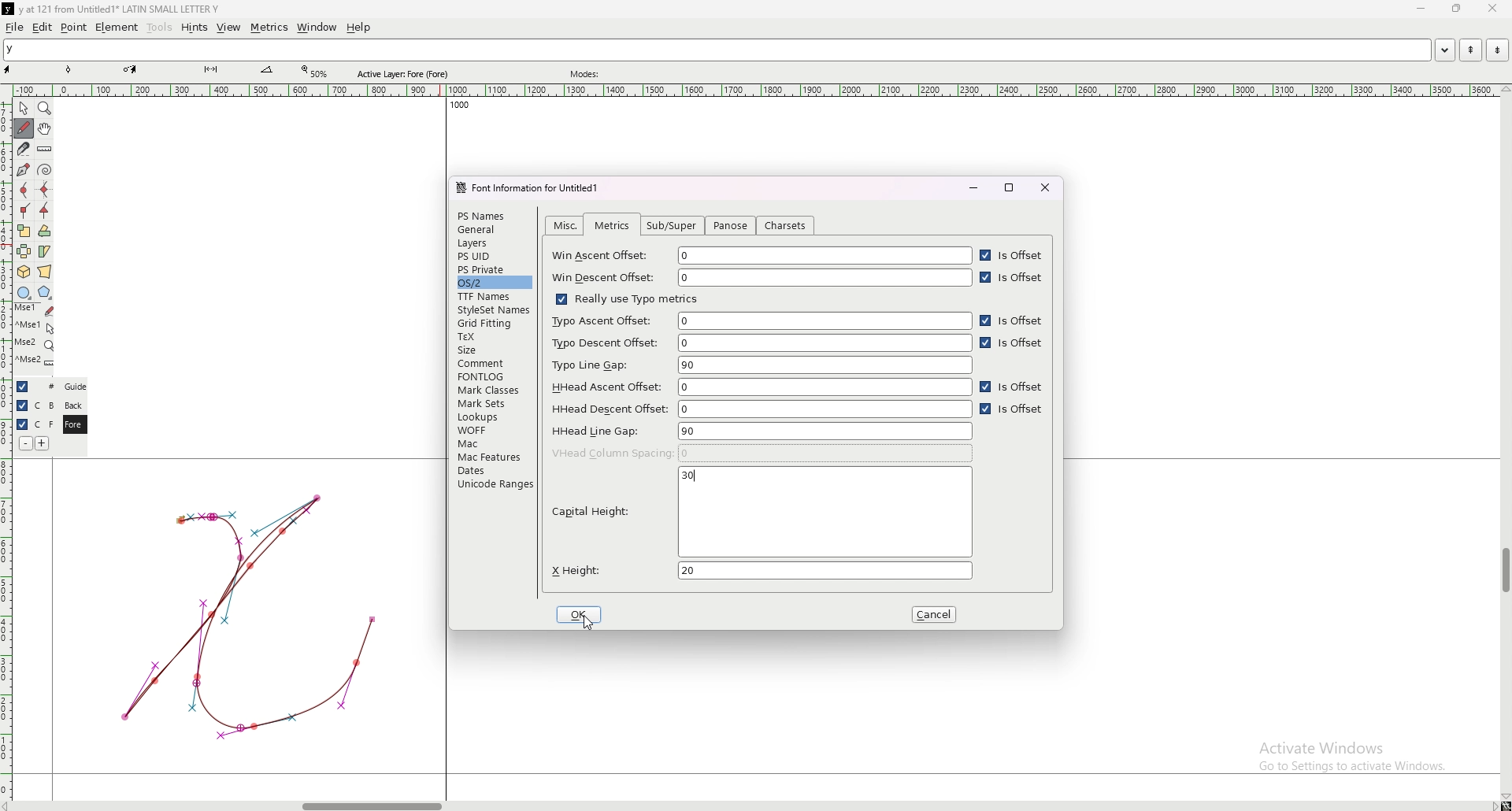 Image resolution: width=1512 pixels, height=811 pixels. Describe the element at coordinates (675, 226) in the screenshot. I see `sub/super` at that location.